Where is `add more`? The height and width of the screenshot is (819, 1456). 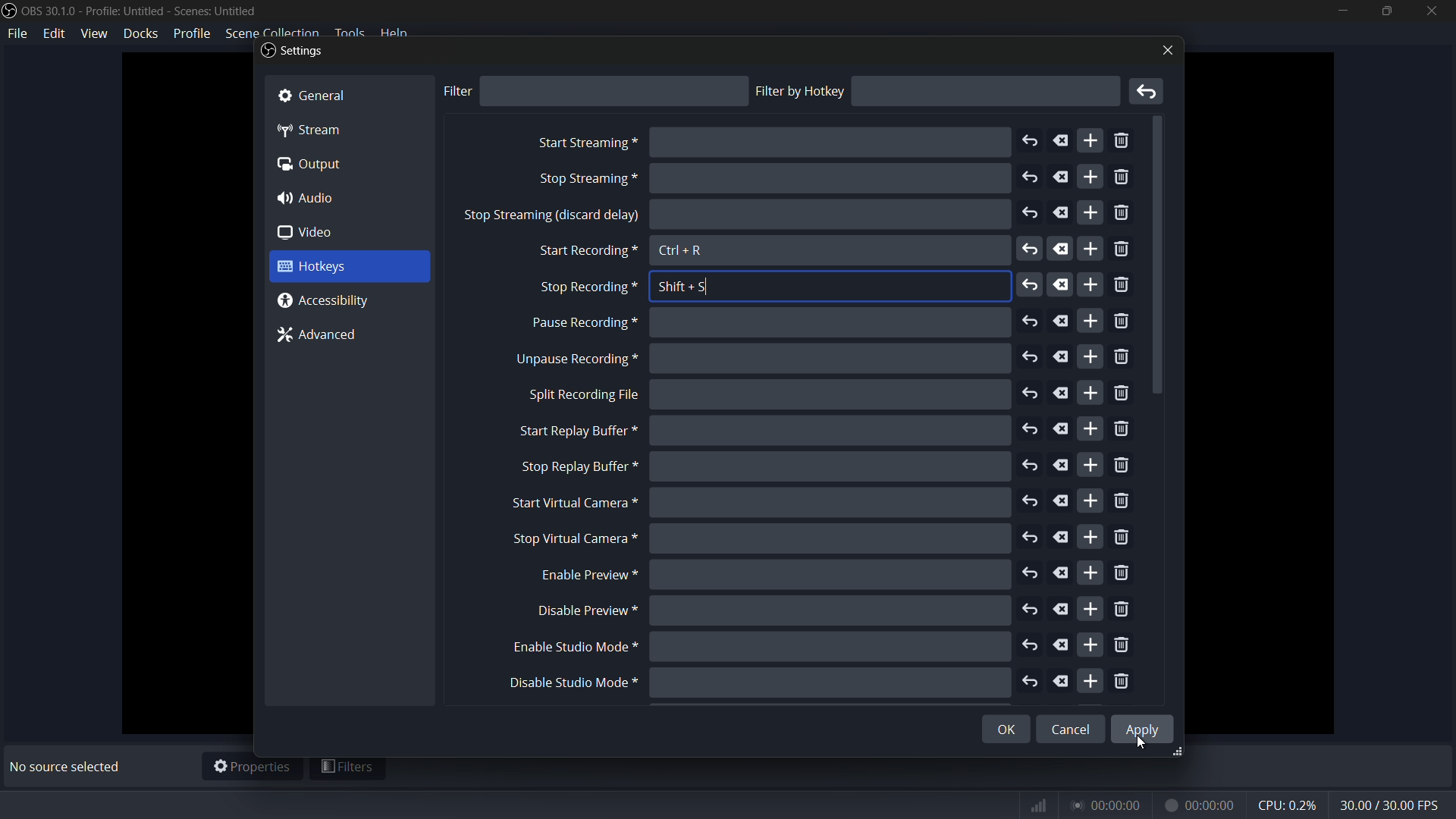
add more is located at coordinates (1092, 536).